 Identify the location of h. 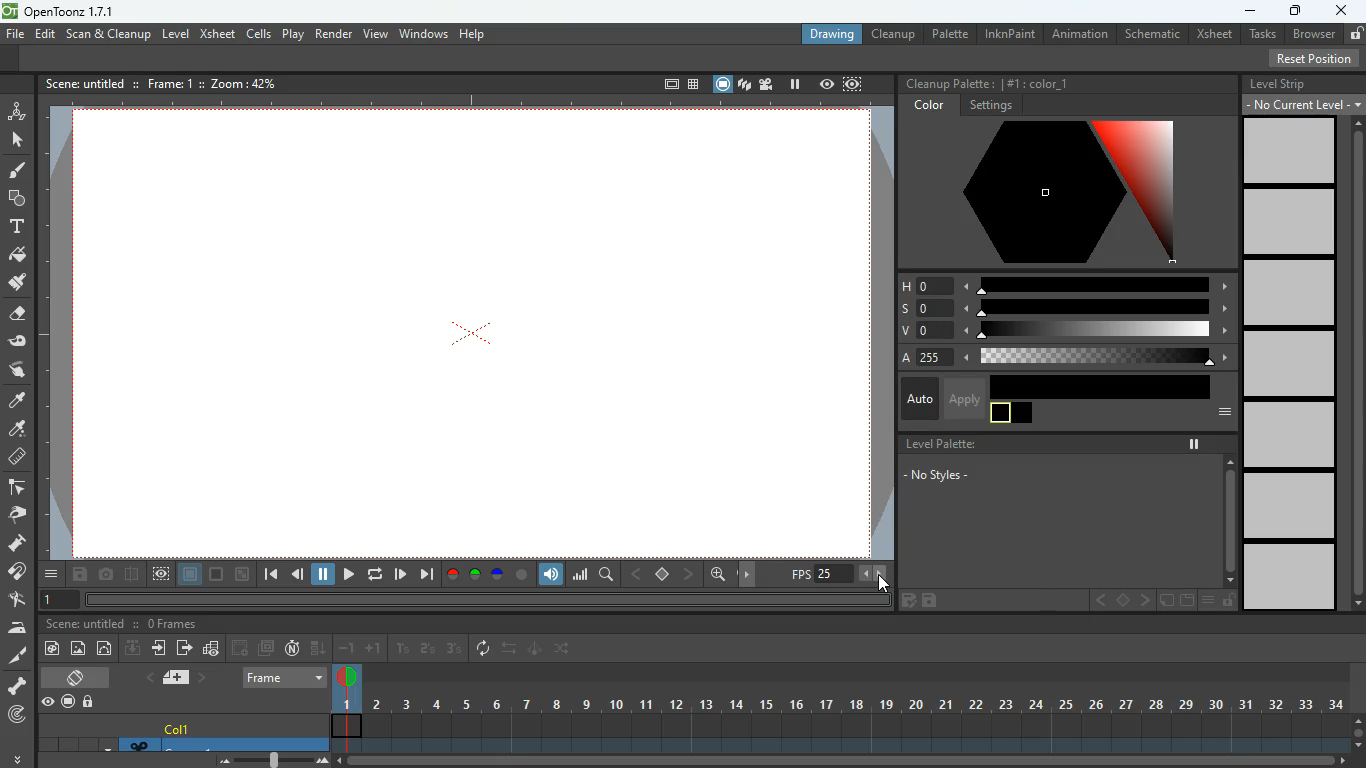
(1066, 287).